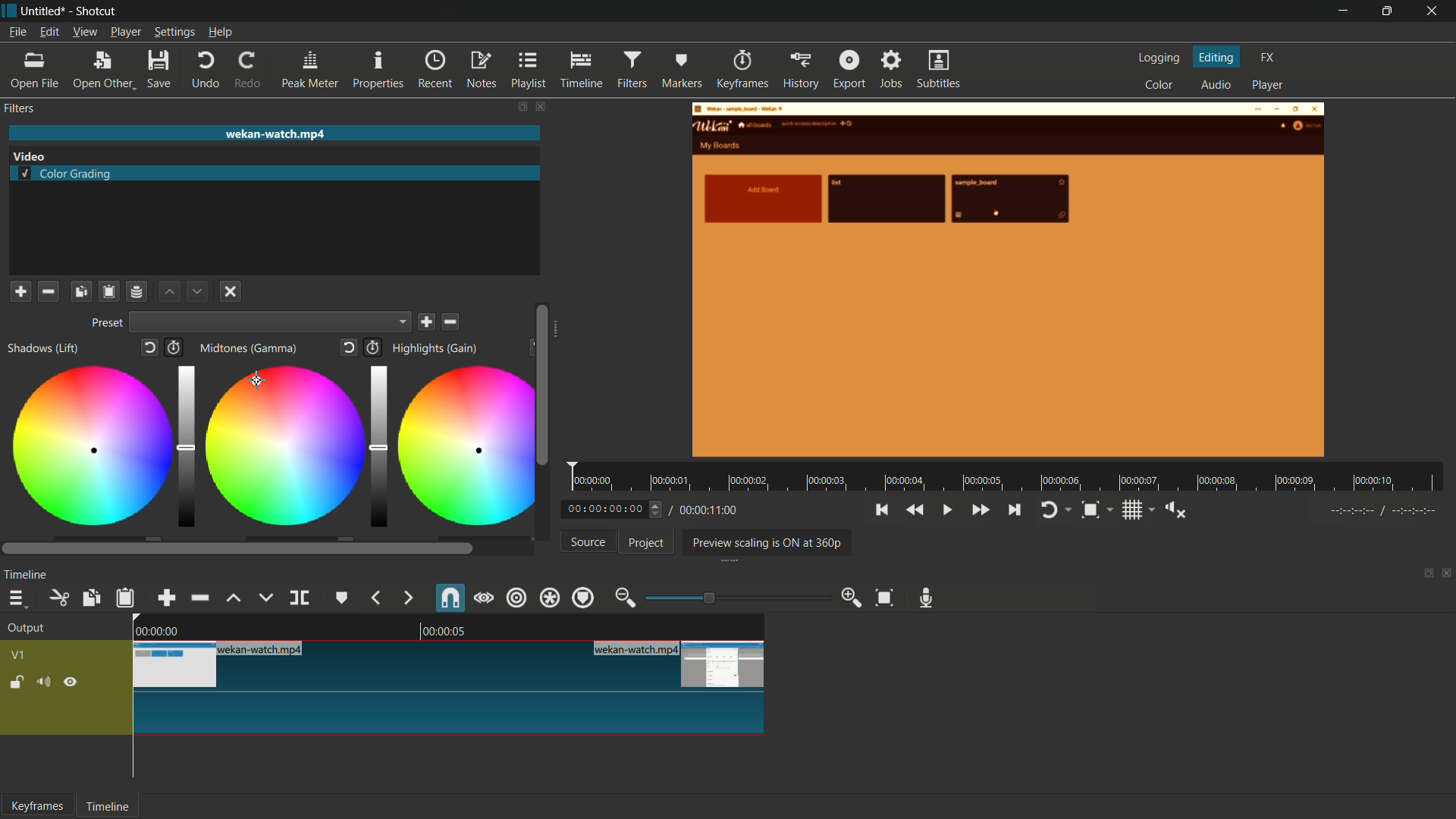  Describe the element at coordinates (103, 71) in the screenshot. I see `open other` at that location.